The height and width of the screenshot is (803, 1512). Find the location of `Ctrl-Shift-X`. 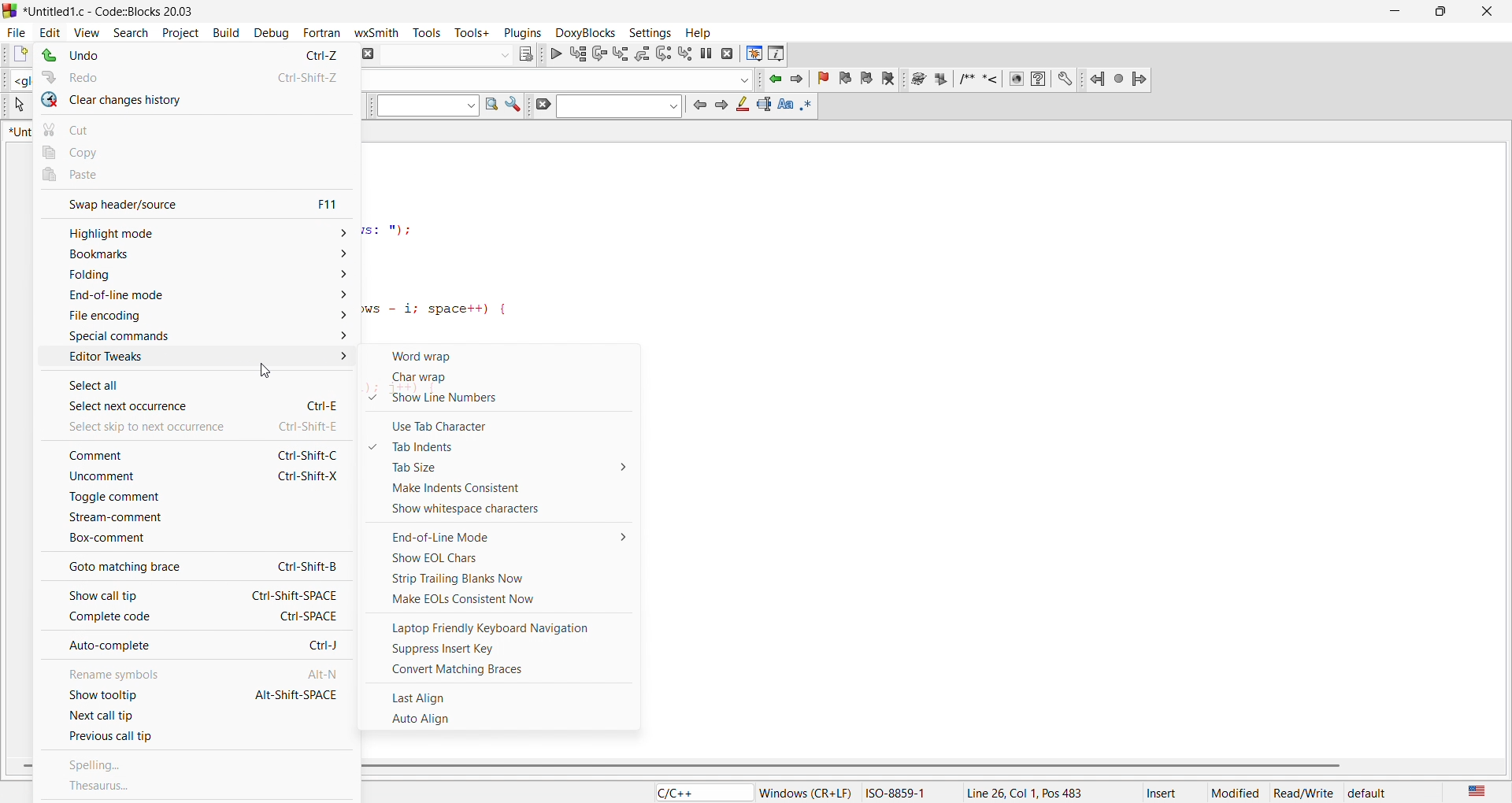

Ctrl-Shift-X is located at coordinates (309, 477).